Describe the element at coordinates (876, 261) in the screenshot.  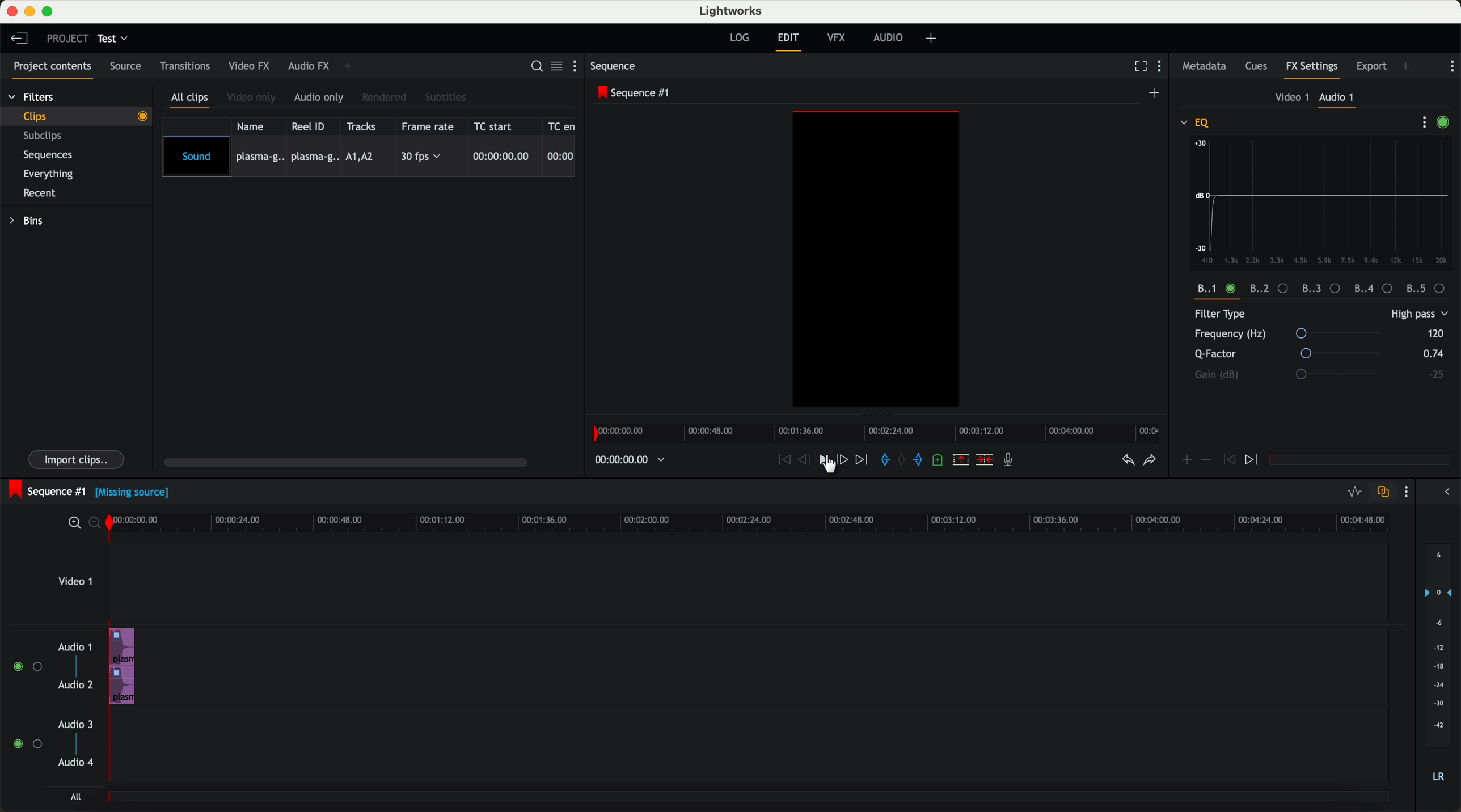
I see `workspace` at that location.